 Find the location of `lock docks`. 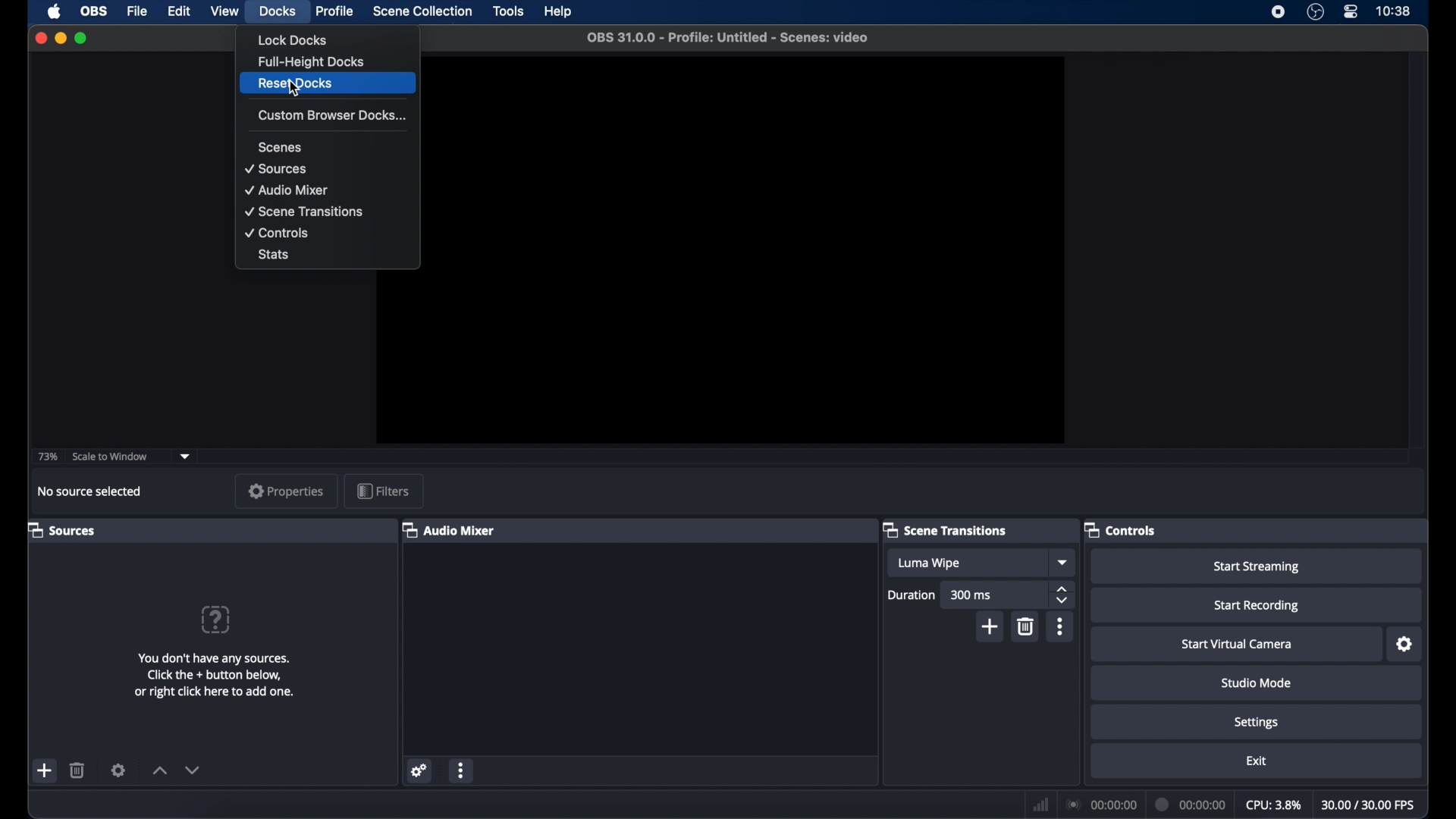

lock docks is located at coordinates (293, 40).